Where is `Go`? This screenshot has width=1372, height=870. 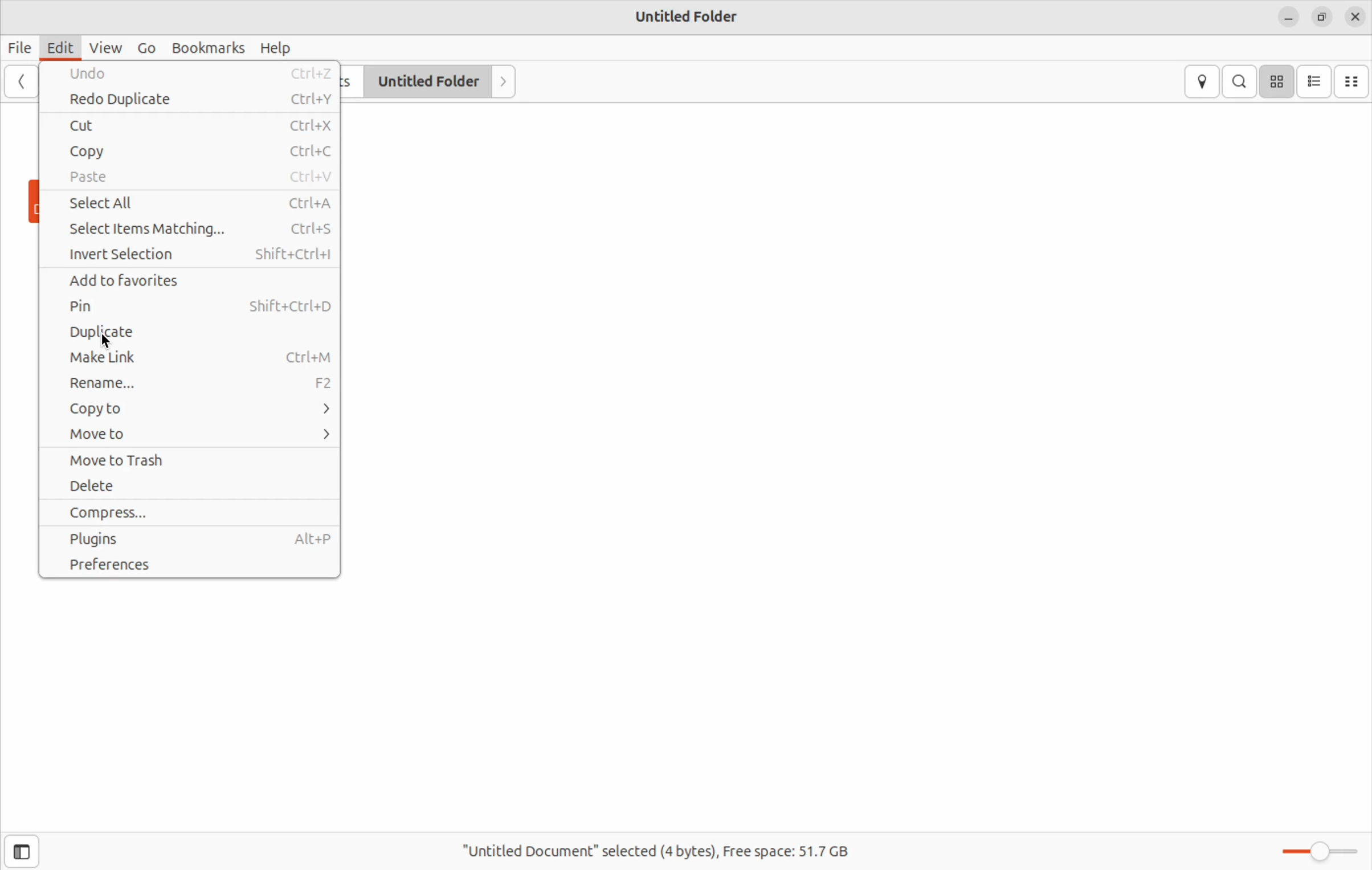 Go is located at coordinates (144, 47).